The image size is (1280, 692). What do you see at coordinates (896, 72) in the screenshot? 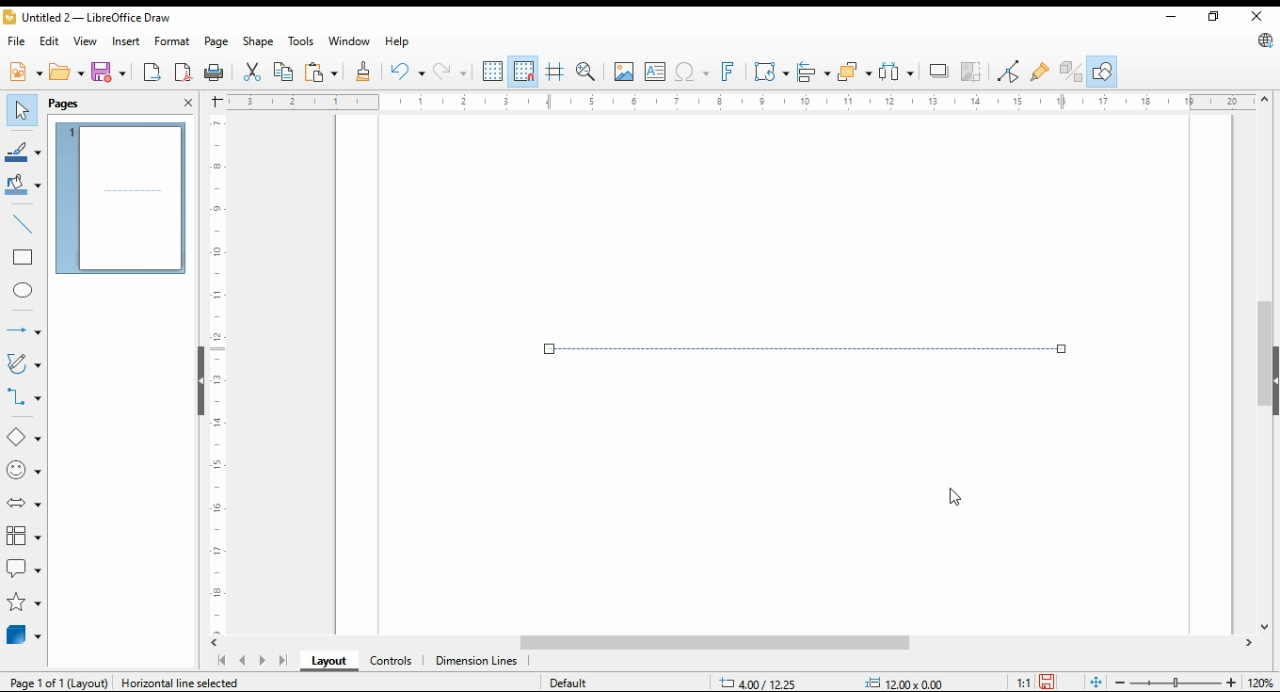
I see `select at least three objects to distribute` at bounding box center [896, 72].